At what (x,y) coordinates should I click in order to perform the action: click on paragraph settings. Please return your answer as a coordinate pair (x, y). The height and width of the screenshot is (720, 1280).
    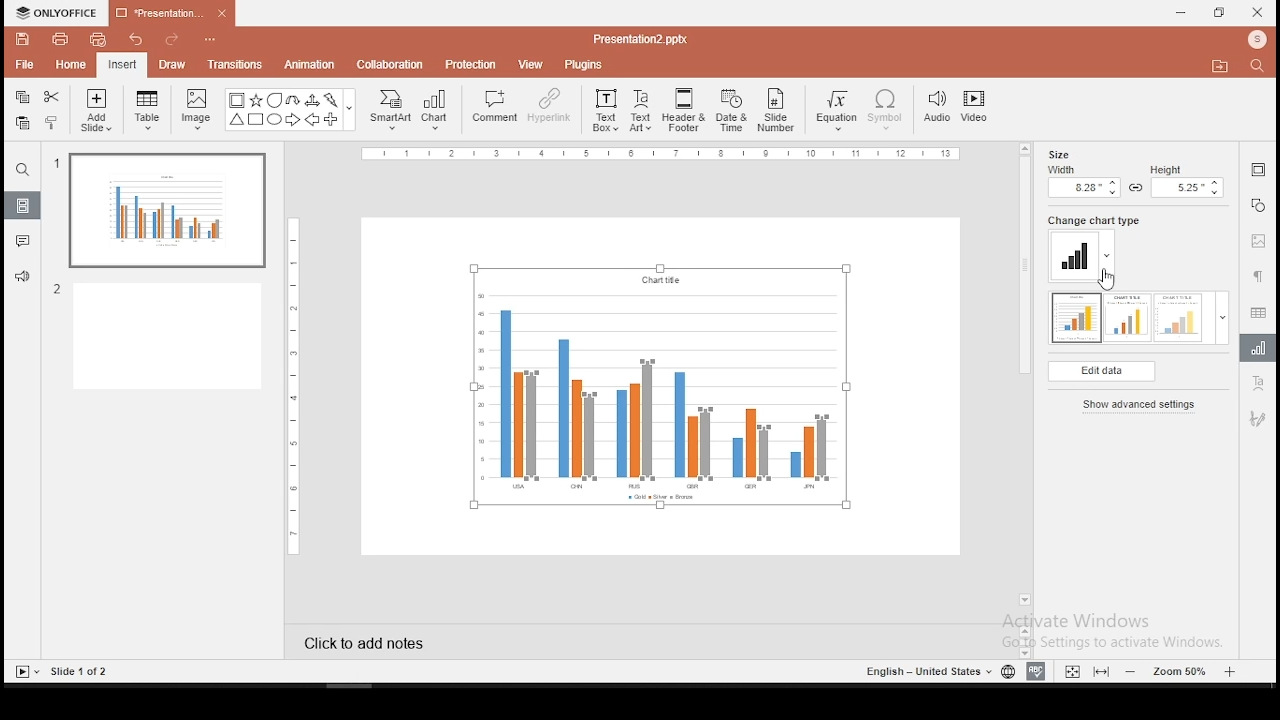
    Looking at the image, I should click on (1258, 275).